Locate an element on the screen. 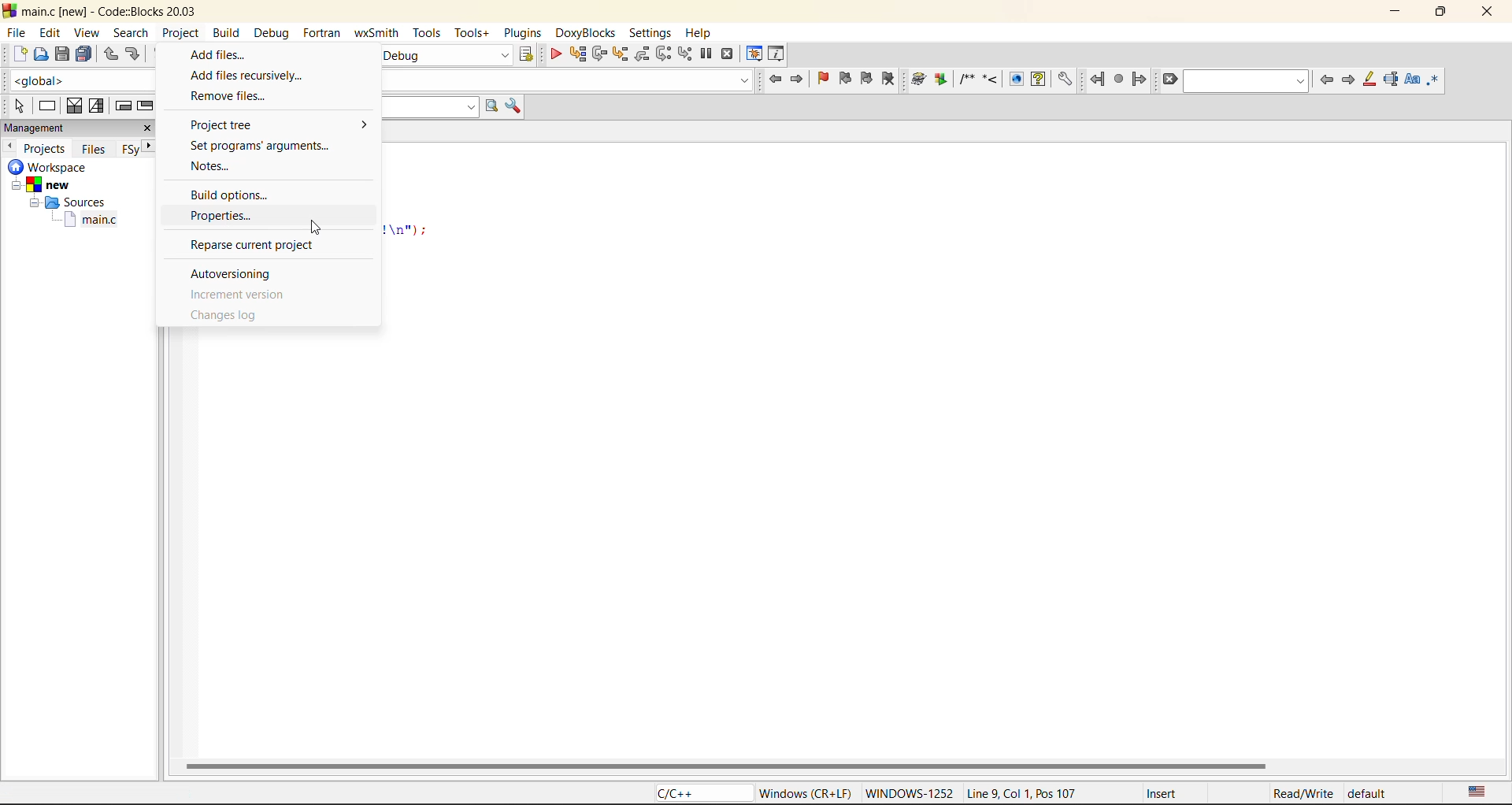 The height and width of the screenshot is (805, 1512). redo is located at coordinates (135, 55).